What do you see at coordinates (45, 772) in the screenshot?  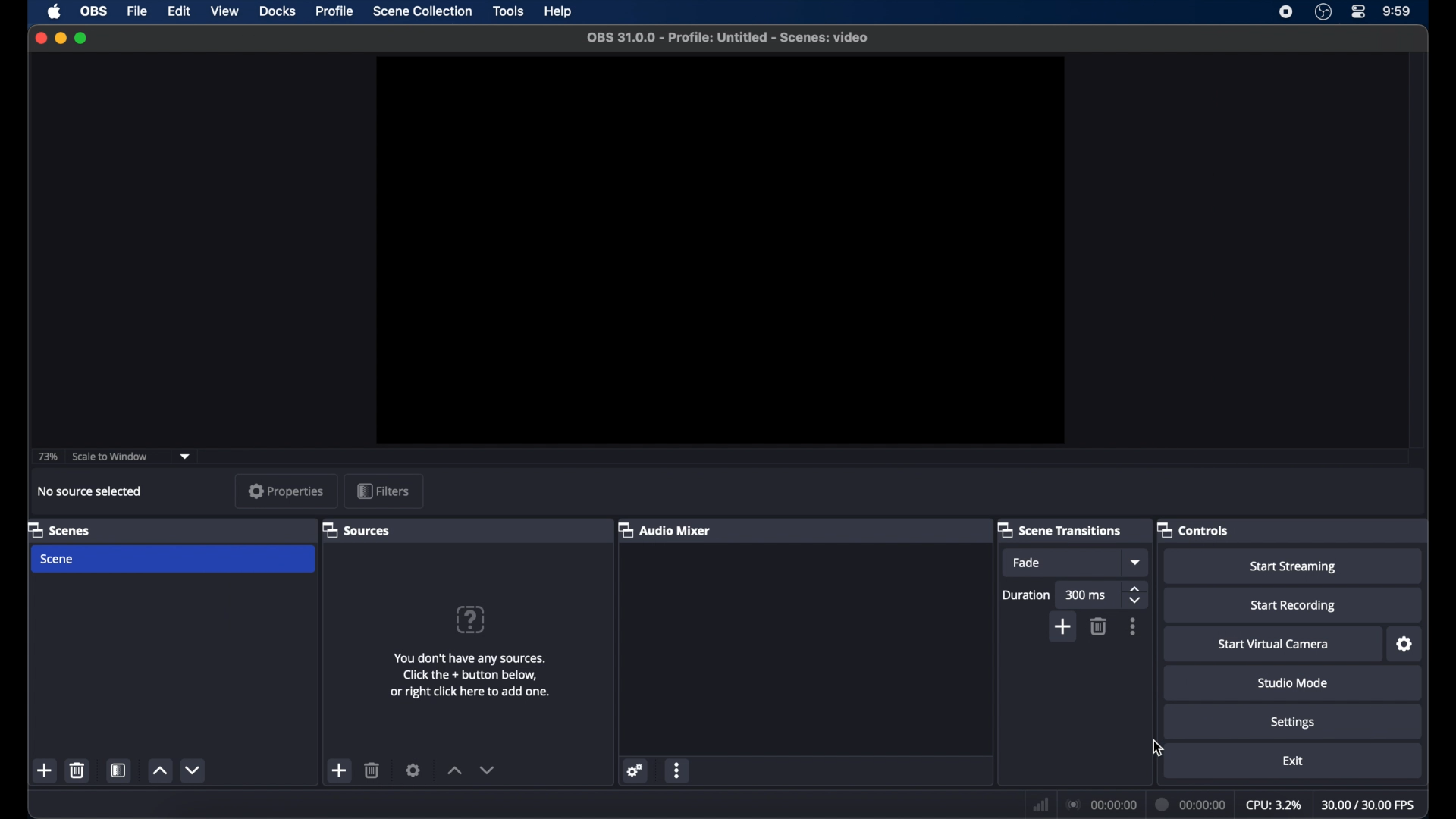 I see `add` at bounding box center [45, 772].